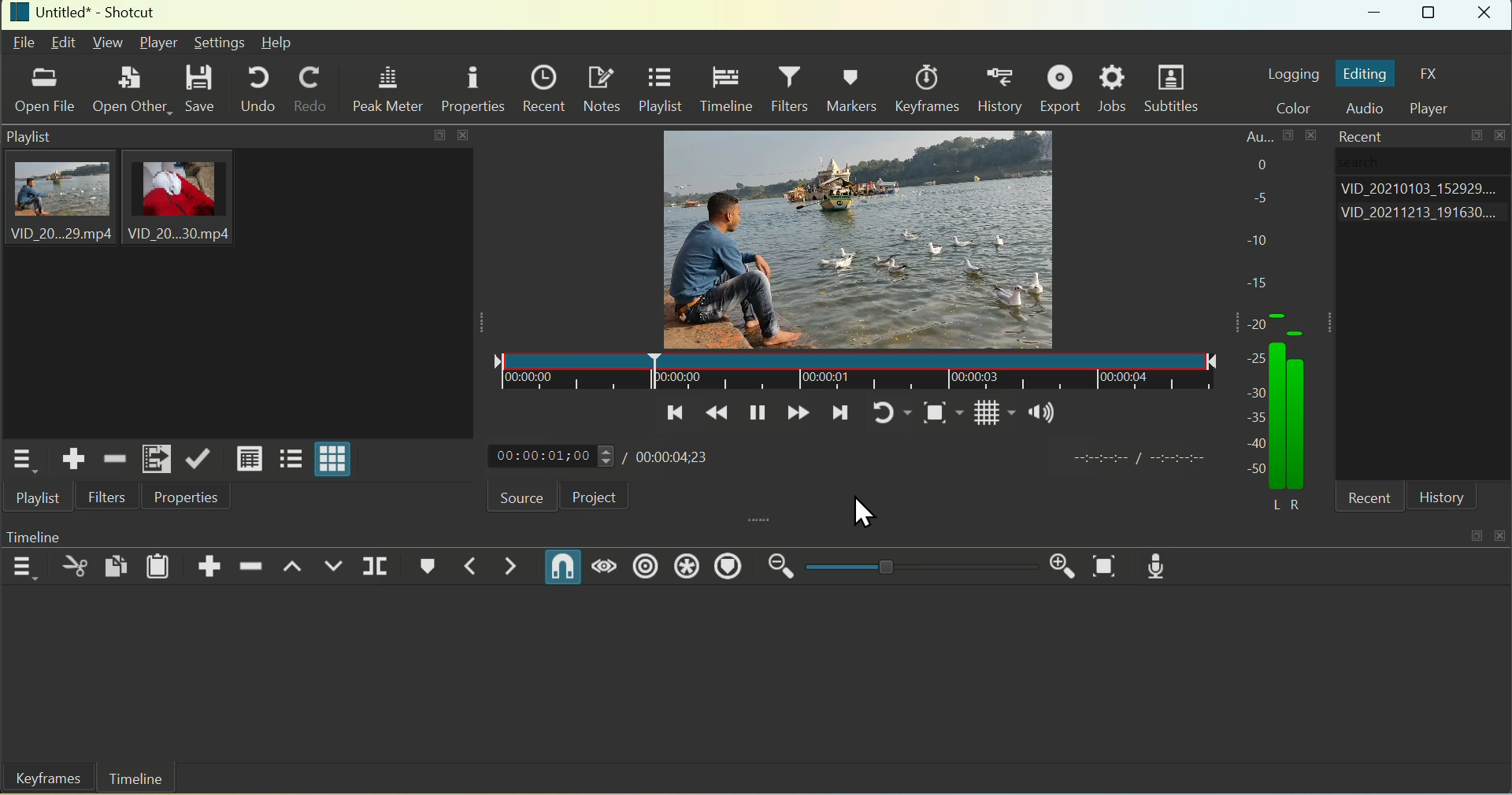 The image size is (1512, 795). I want to click on L R, so click(1283, 501).